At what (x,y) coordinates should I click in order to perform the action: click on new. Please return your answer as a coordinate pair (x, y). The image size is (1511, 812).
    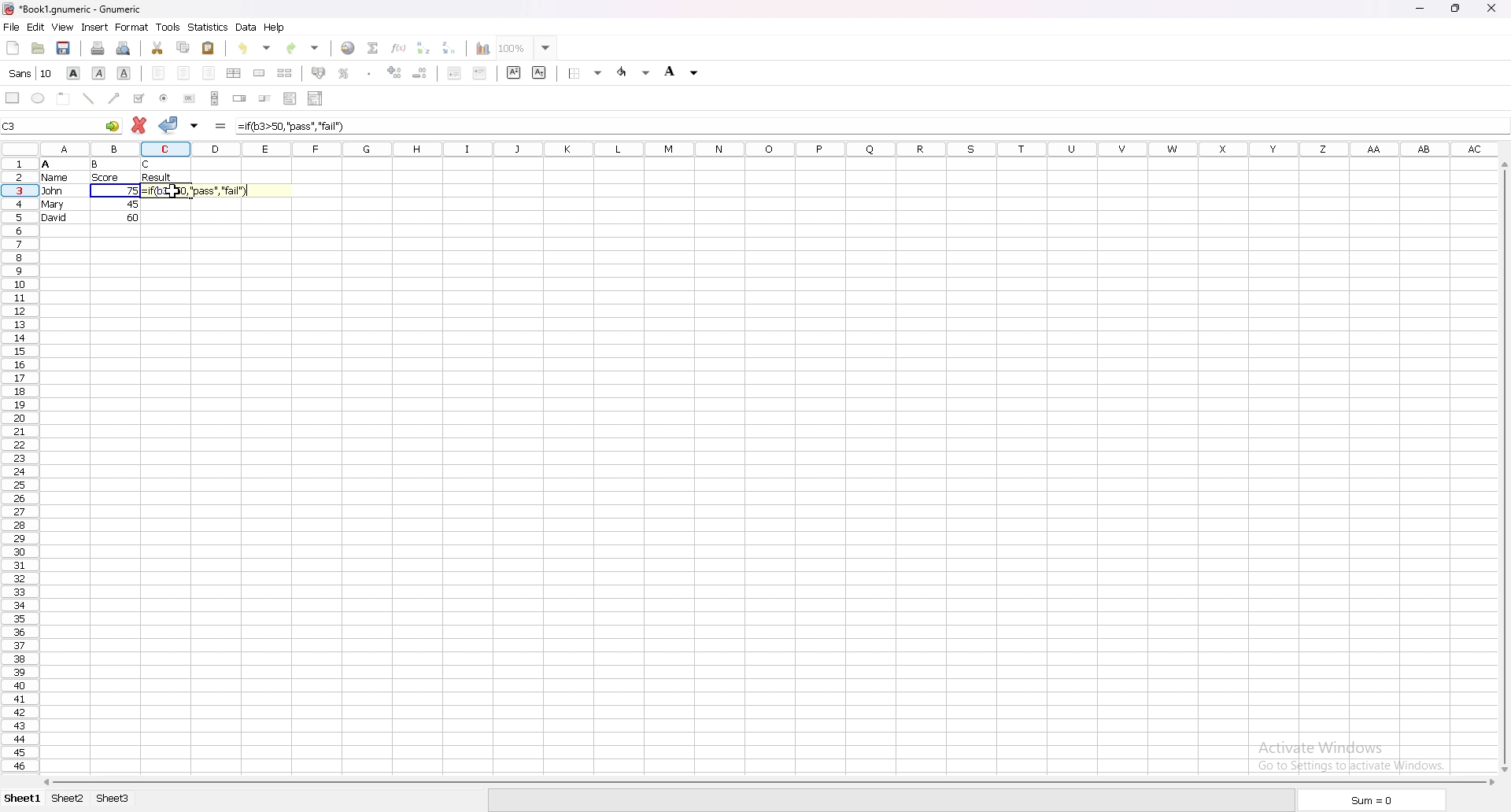
    Looking at the image, I should click on (13, 48).